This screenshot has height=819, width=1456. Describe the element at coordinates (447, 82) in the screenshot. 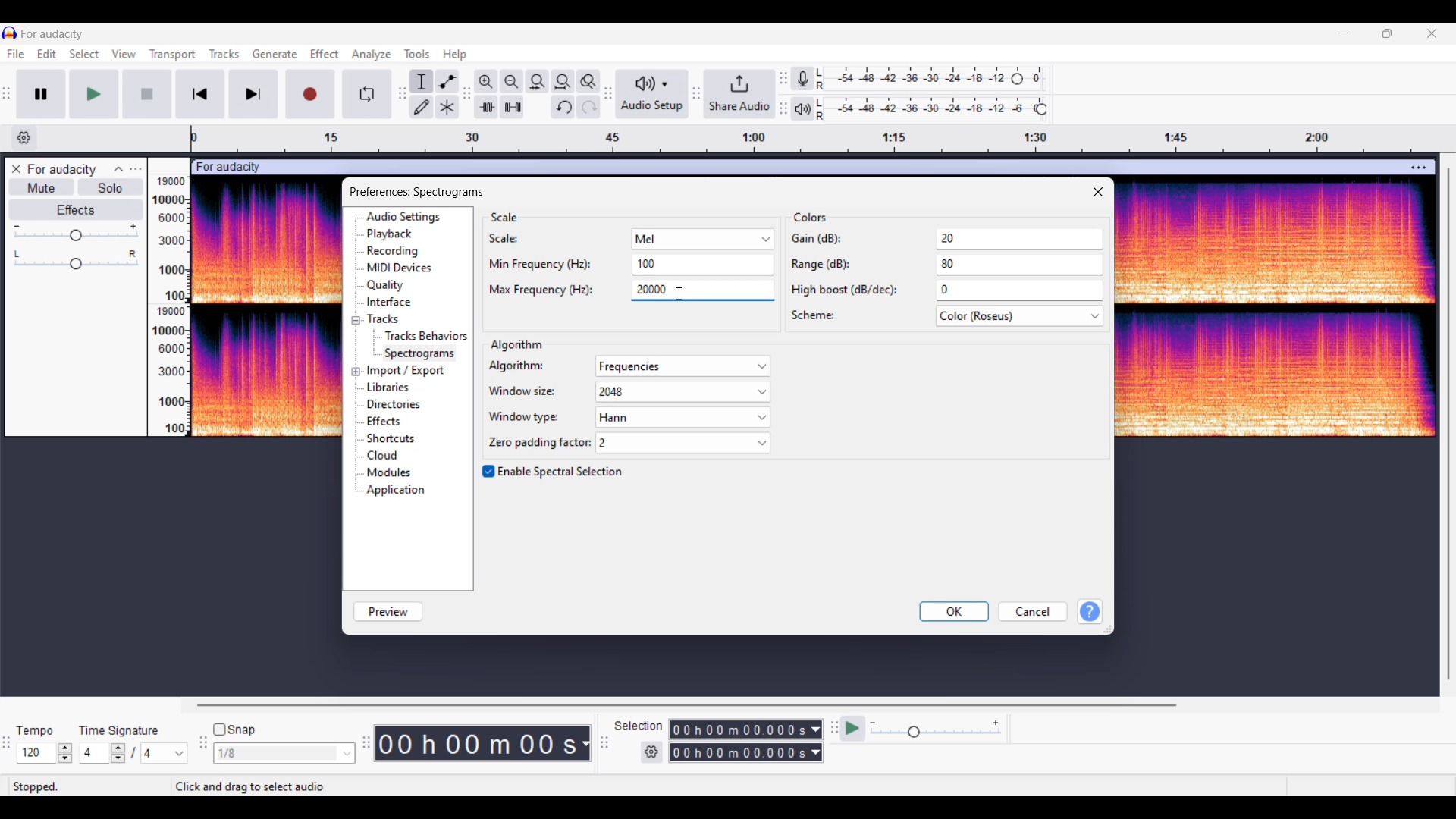

I see `Envelop tool` at that location.